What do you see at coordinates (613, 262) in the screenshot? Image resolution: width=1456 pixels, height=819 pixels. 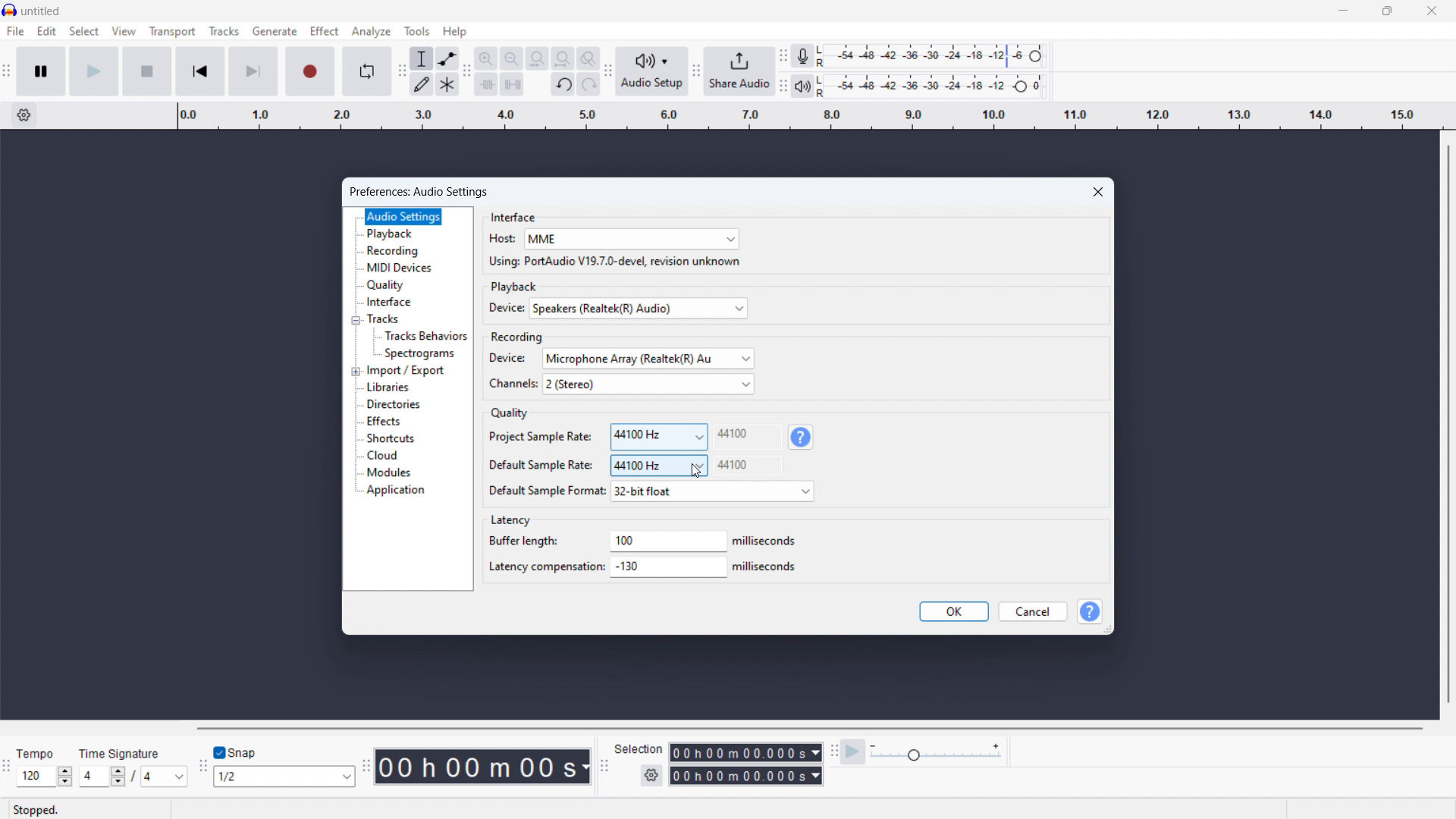 I see `Using: port audio V19 .7 .0 devel, revision unknown ` at bounding box center [613, 262].